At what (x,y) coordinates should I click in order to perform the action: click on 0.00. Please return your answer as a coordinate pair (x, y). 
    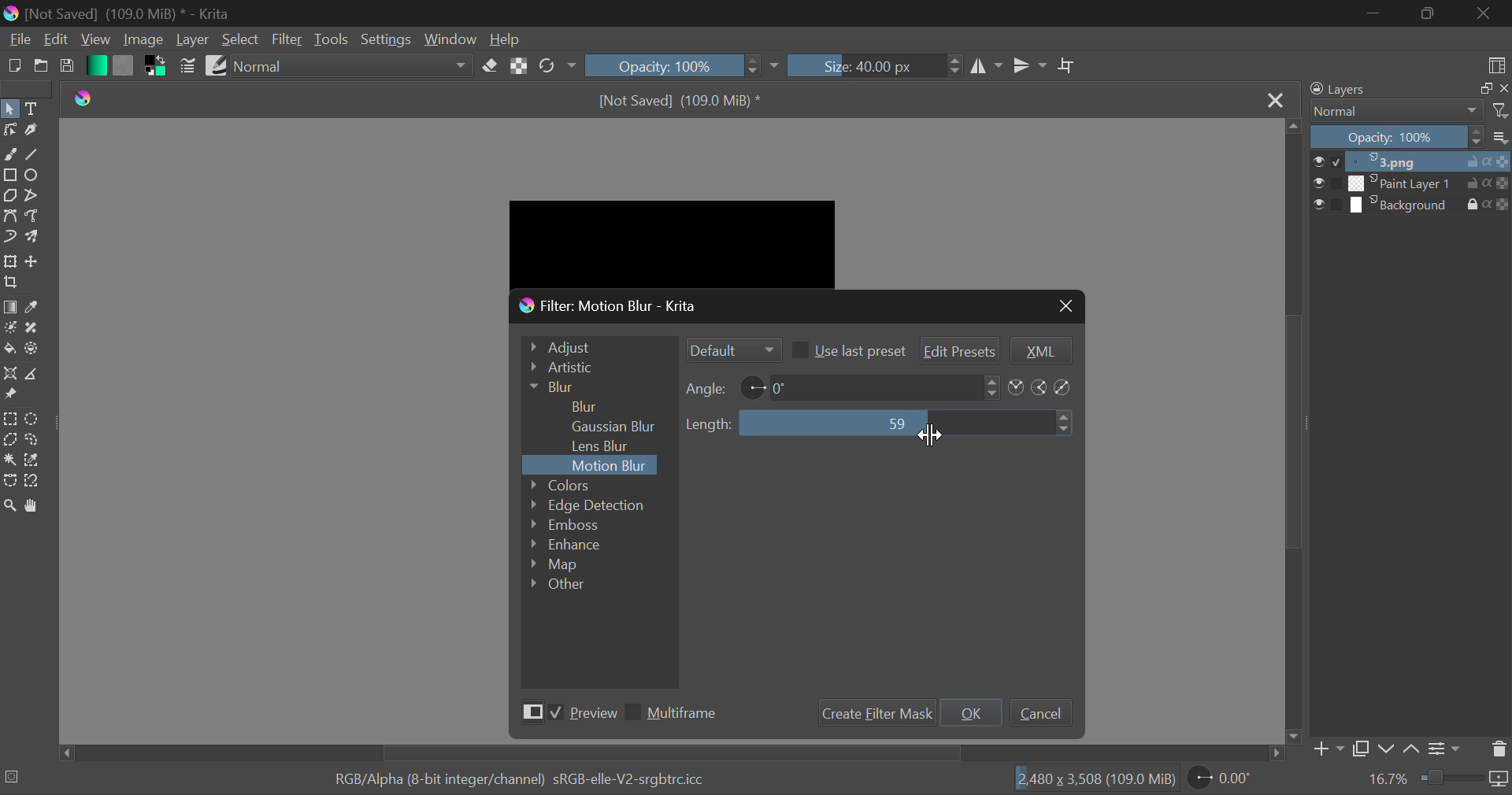
    Looking at the image, I should click on (1223, 780).